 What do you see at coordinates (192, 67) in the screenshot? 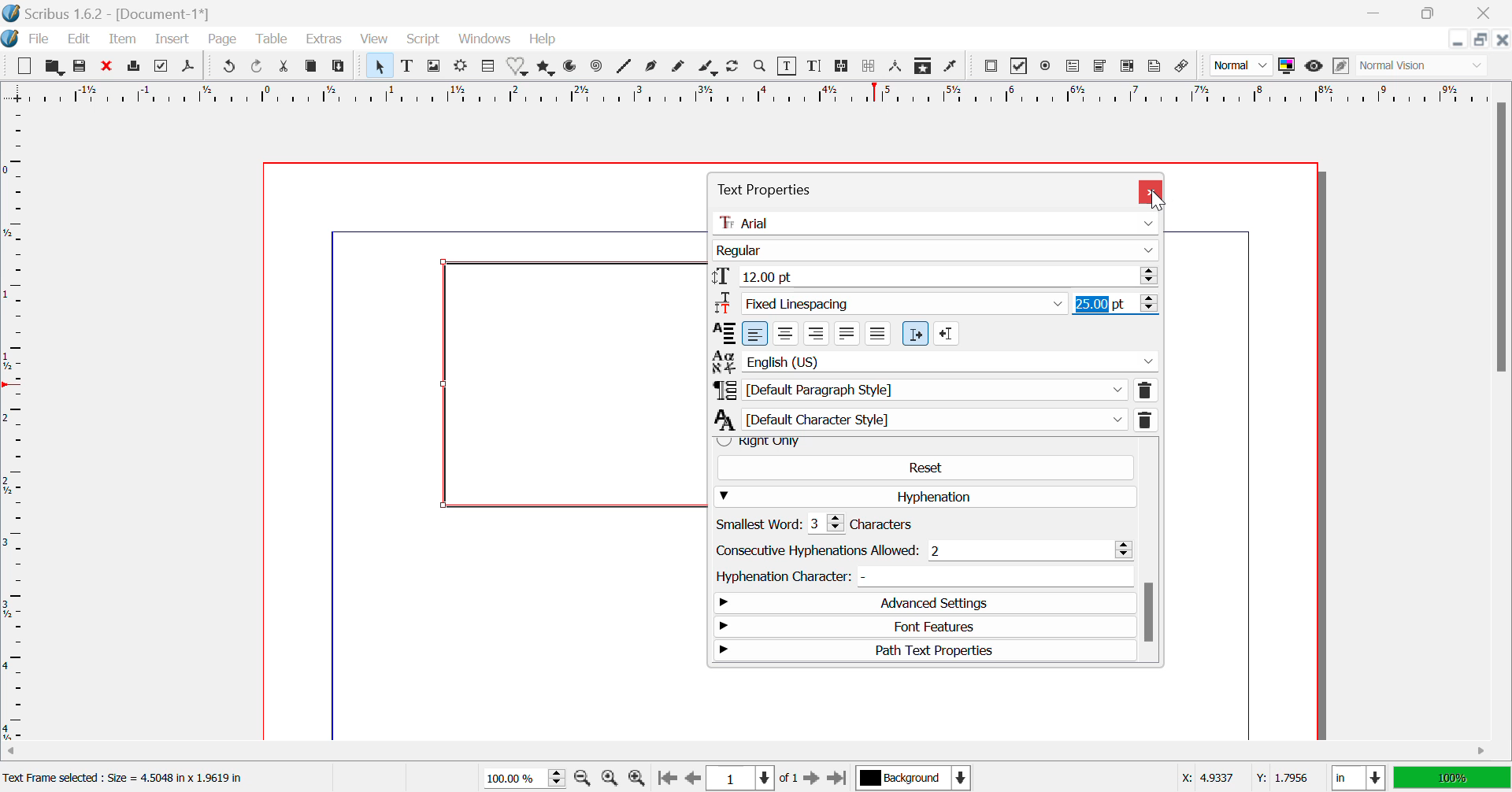
I see `Save as Pdf` at bounding box center [192, 67].